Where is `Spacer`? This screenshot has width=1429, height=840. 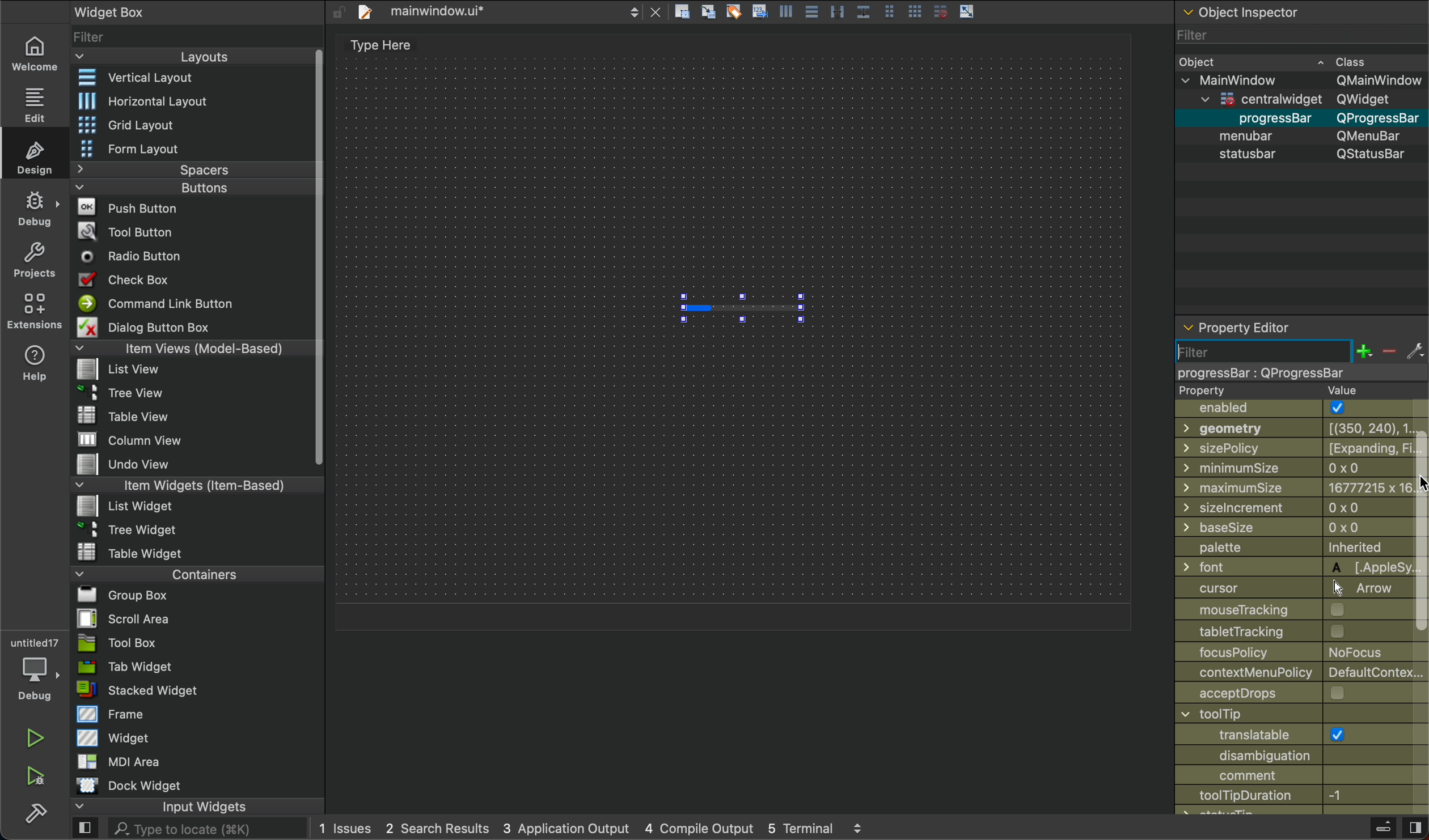
Spacer is located at coordinates (177, 169).